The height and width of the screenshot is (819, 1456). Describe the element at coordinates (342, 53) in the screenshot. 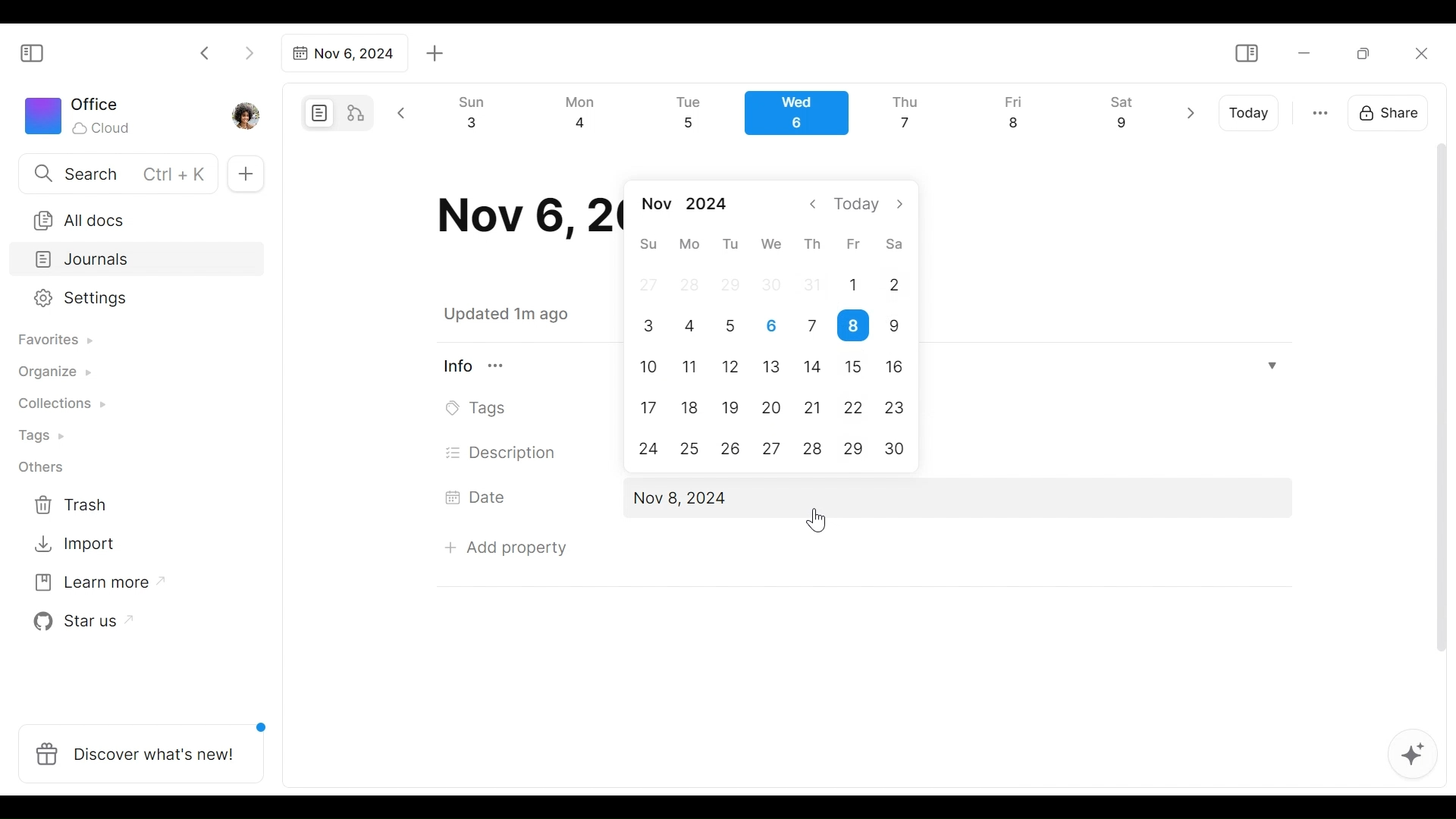

I see `Tab` at that location.